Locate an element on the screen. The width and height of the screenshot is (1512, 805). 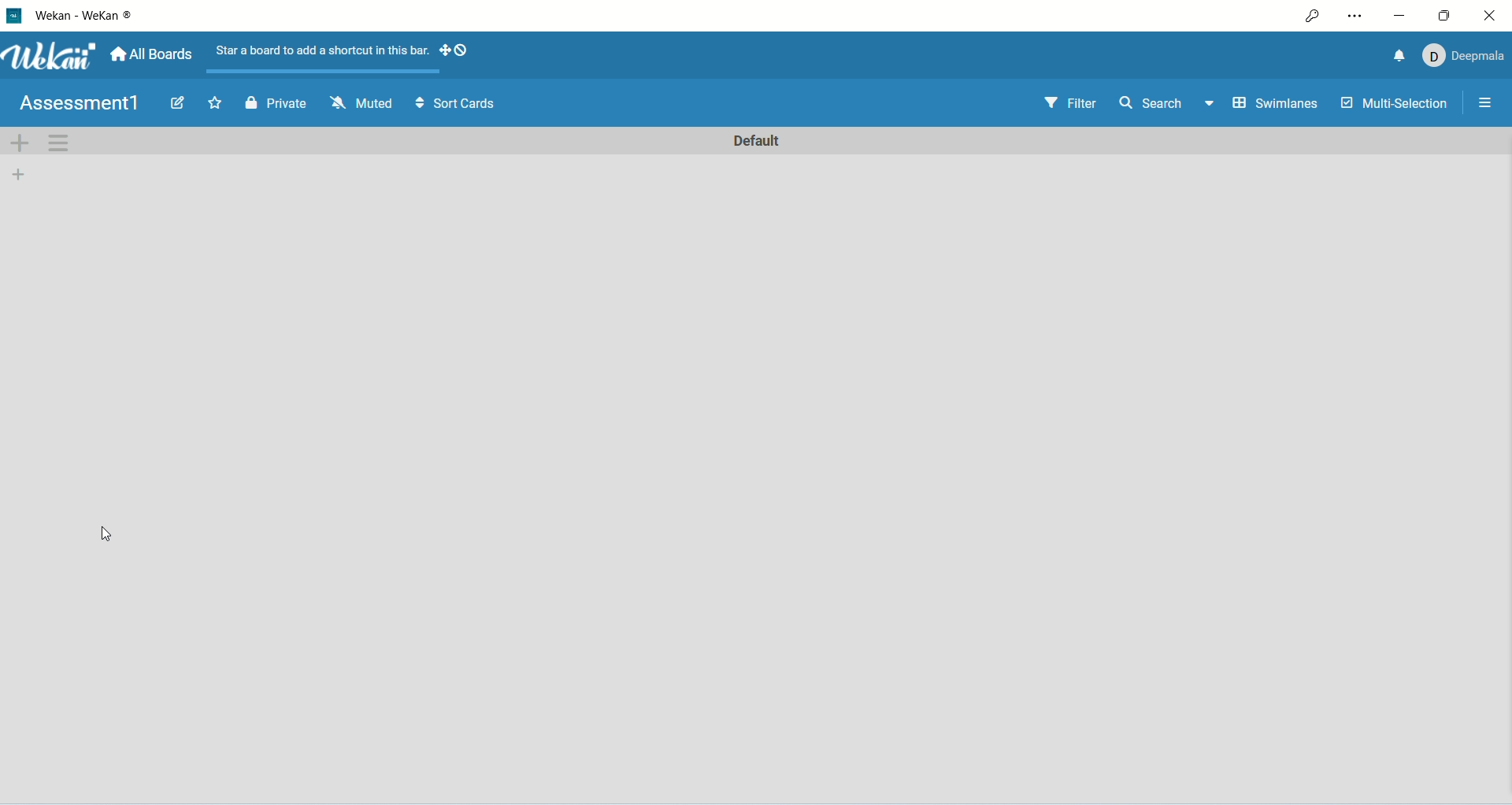
star a board to add a shortcut in this bar is located at coordinates (320, 51).